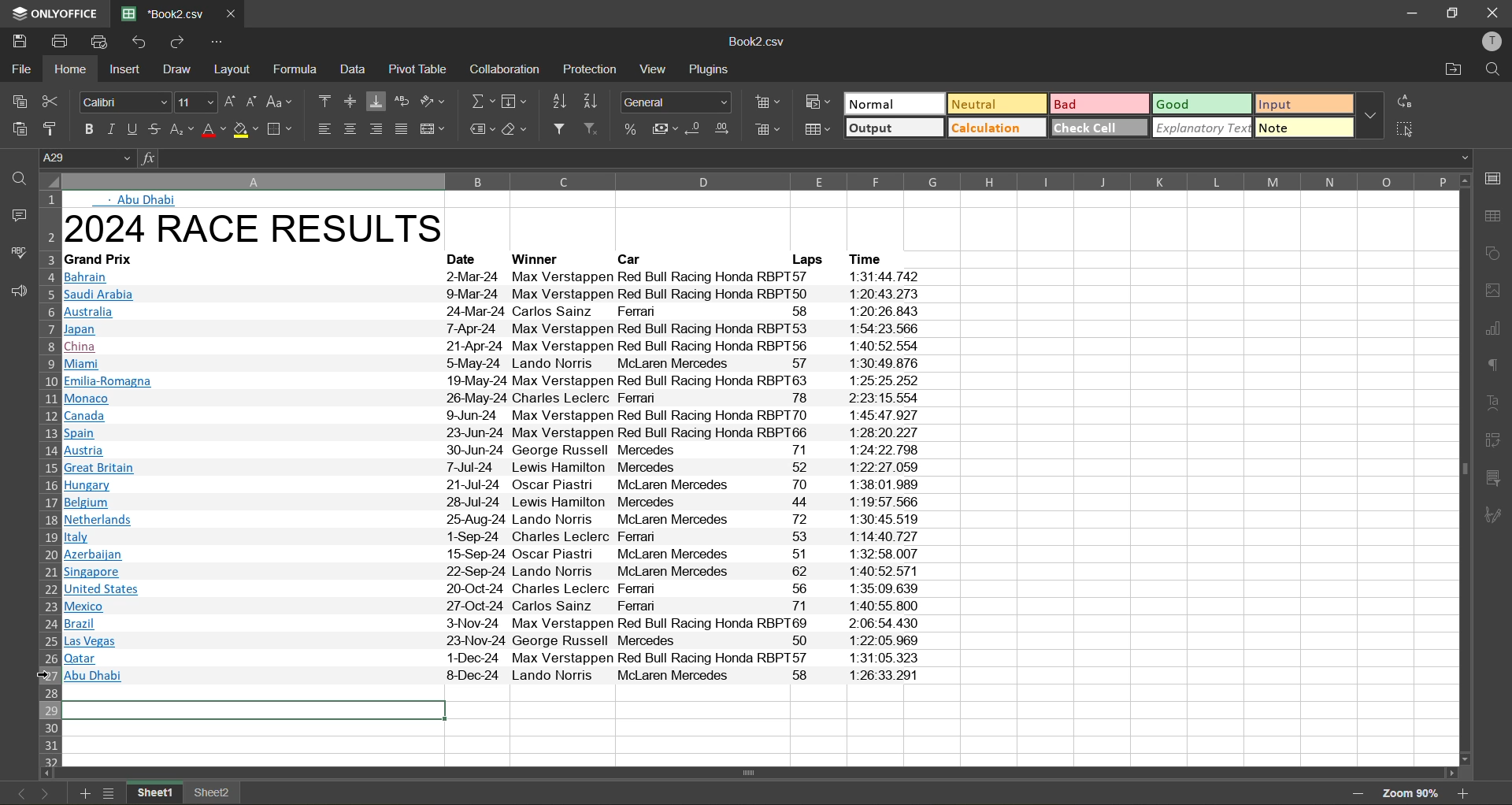 This screenshot has width=1512, height=805. What do you see at coordinates (435, 102) in the screenshot?
I see `orientation` at bounding box center [435, 102].